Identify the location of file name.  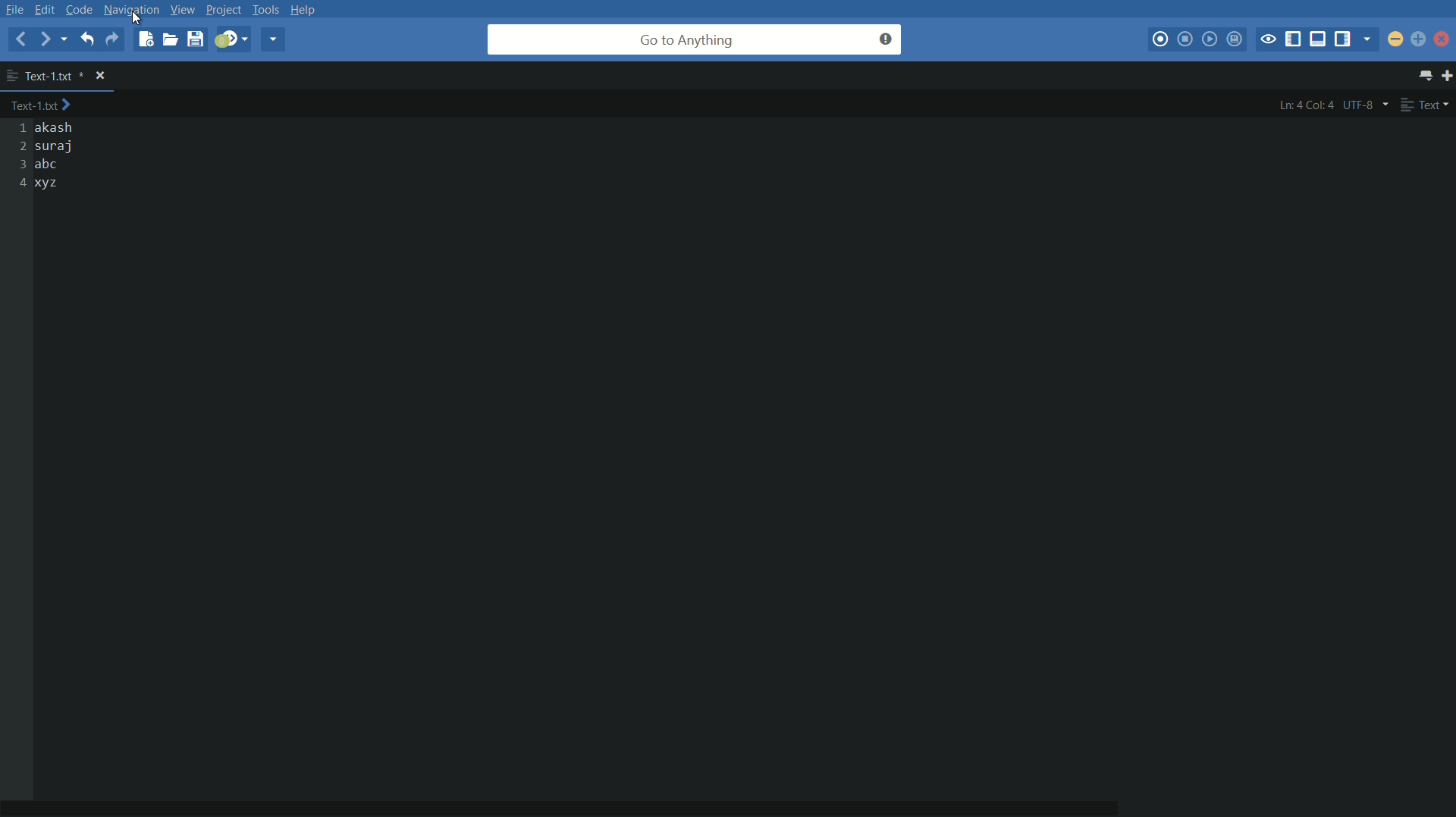
(45, 75).